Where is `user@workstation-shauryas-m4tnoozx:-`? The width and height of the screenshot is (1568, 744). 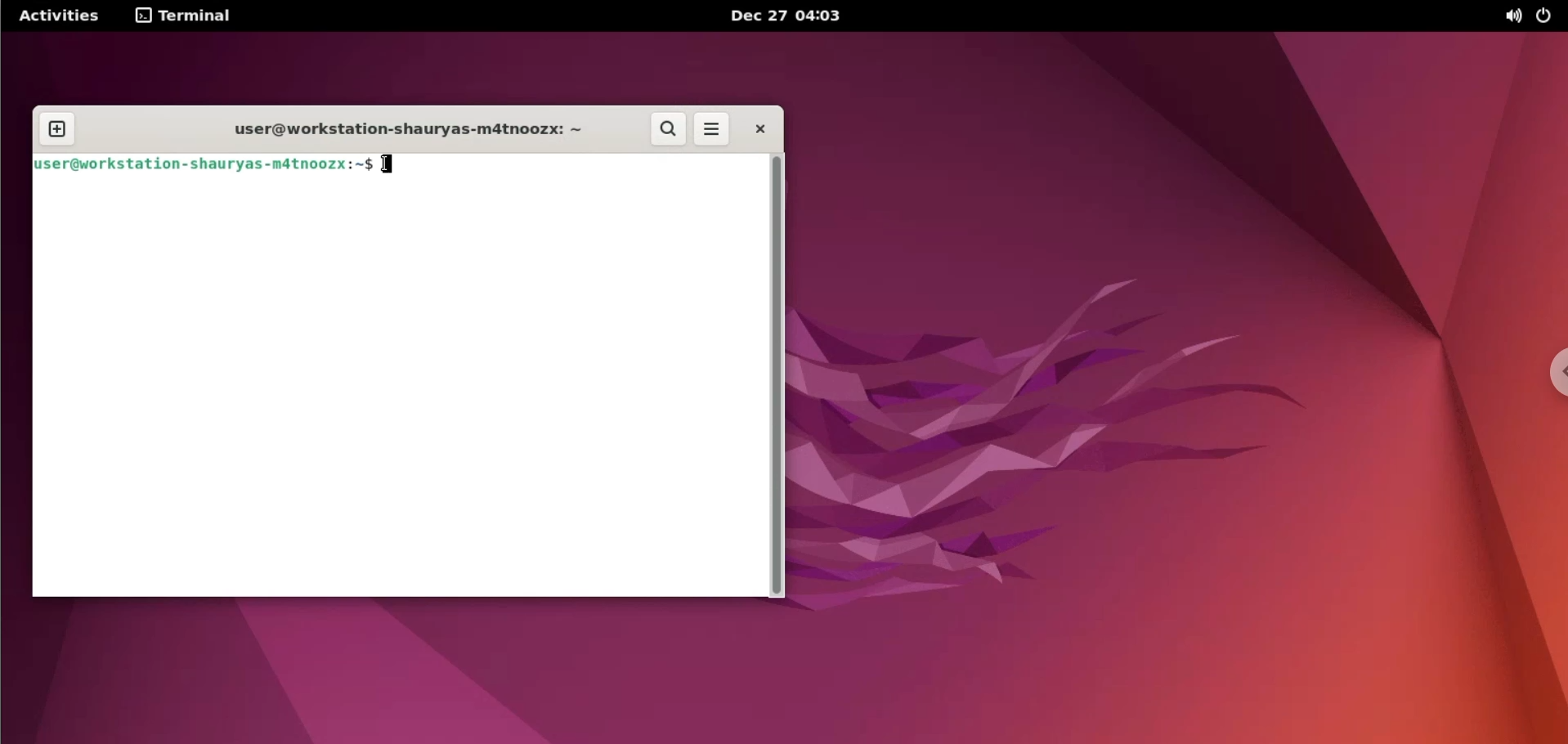 user@workstation-shauryas-m4tnoozx:- is located at coordinates (395, 127).